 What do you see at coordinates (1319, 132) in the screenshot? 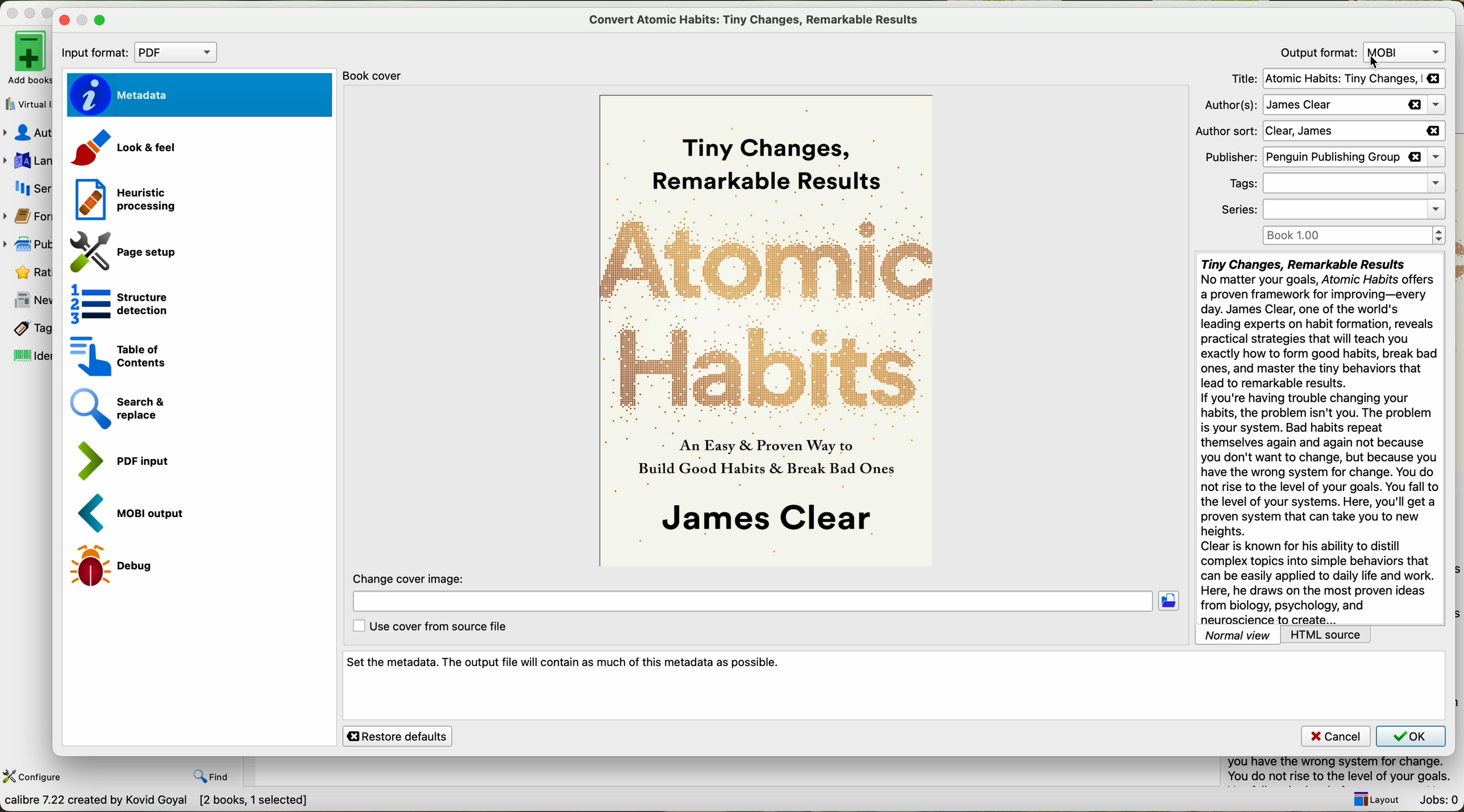
I see `Author sort` at bounding box center [1319, 132].